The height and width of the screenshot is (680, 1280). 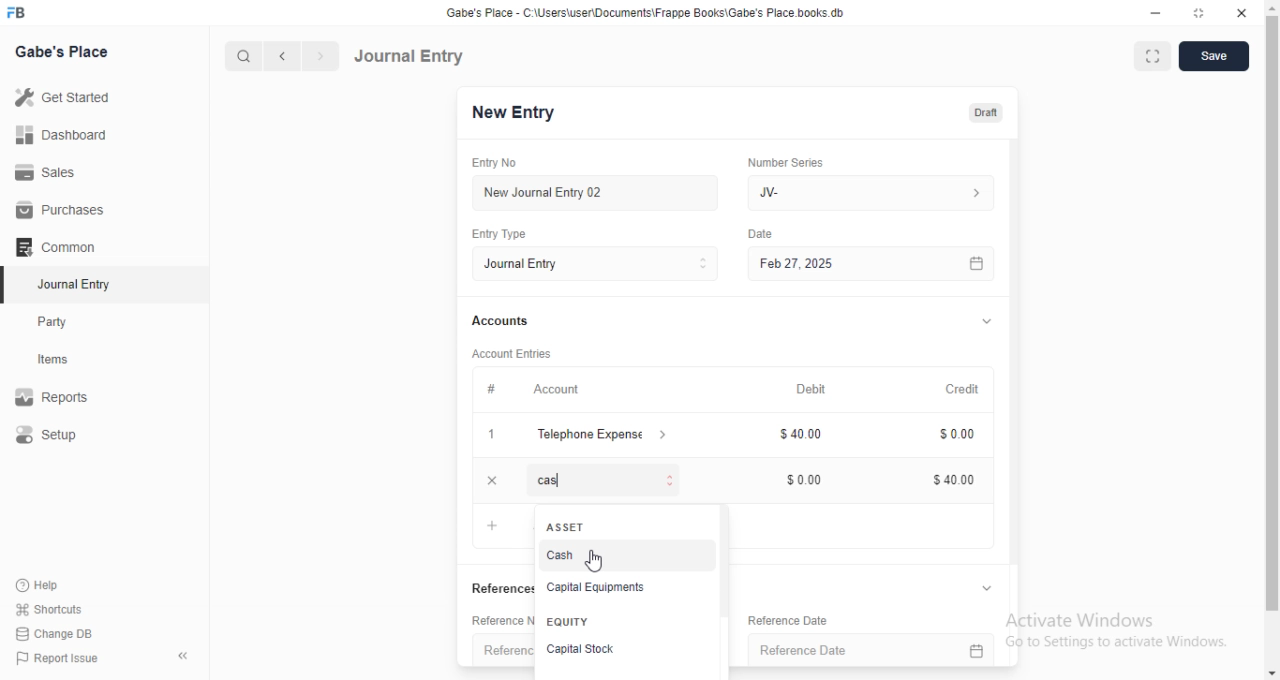 I want to click on Reference Number, so click(x=476, y=623).